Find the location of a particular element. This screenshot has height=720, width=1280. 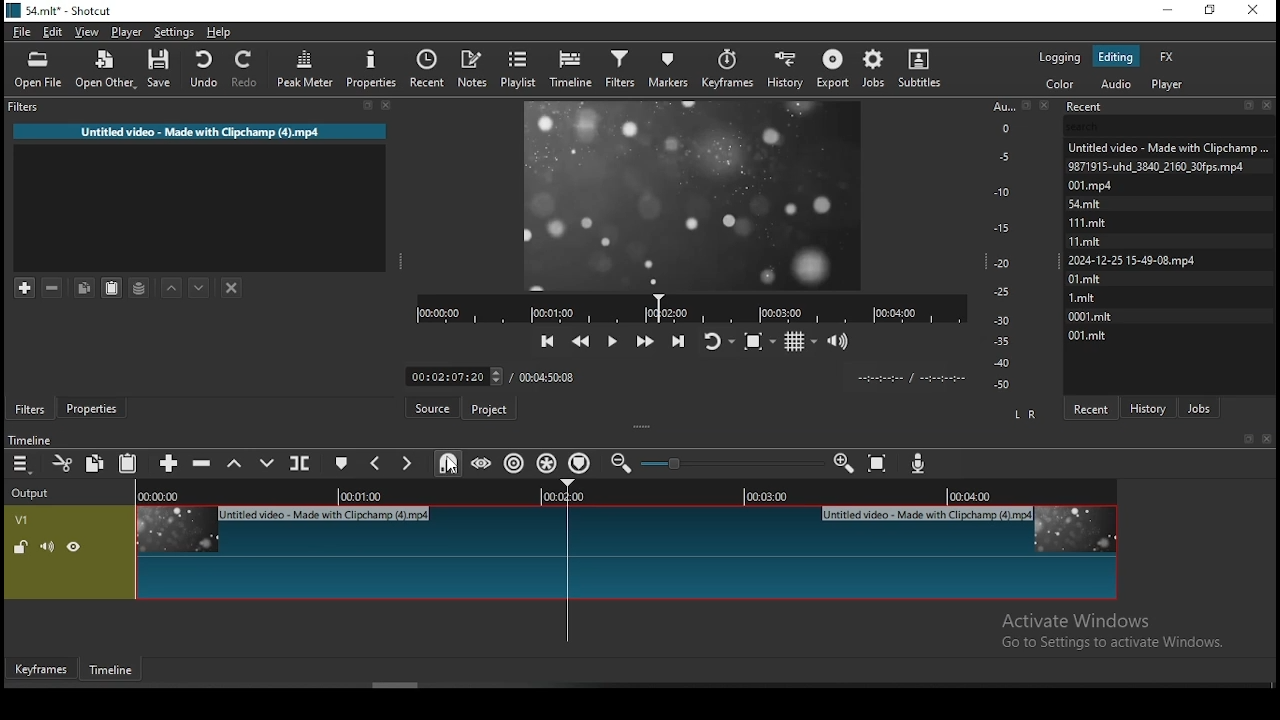

cut is located at coordinates (63, 462).